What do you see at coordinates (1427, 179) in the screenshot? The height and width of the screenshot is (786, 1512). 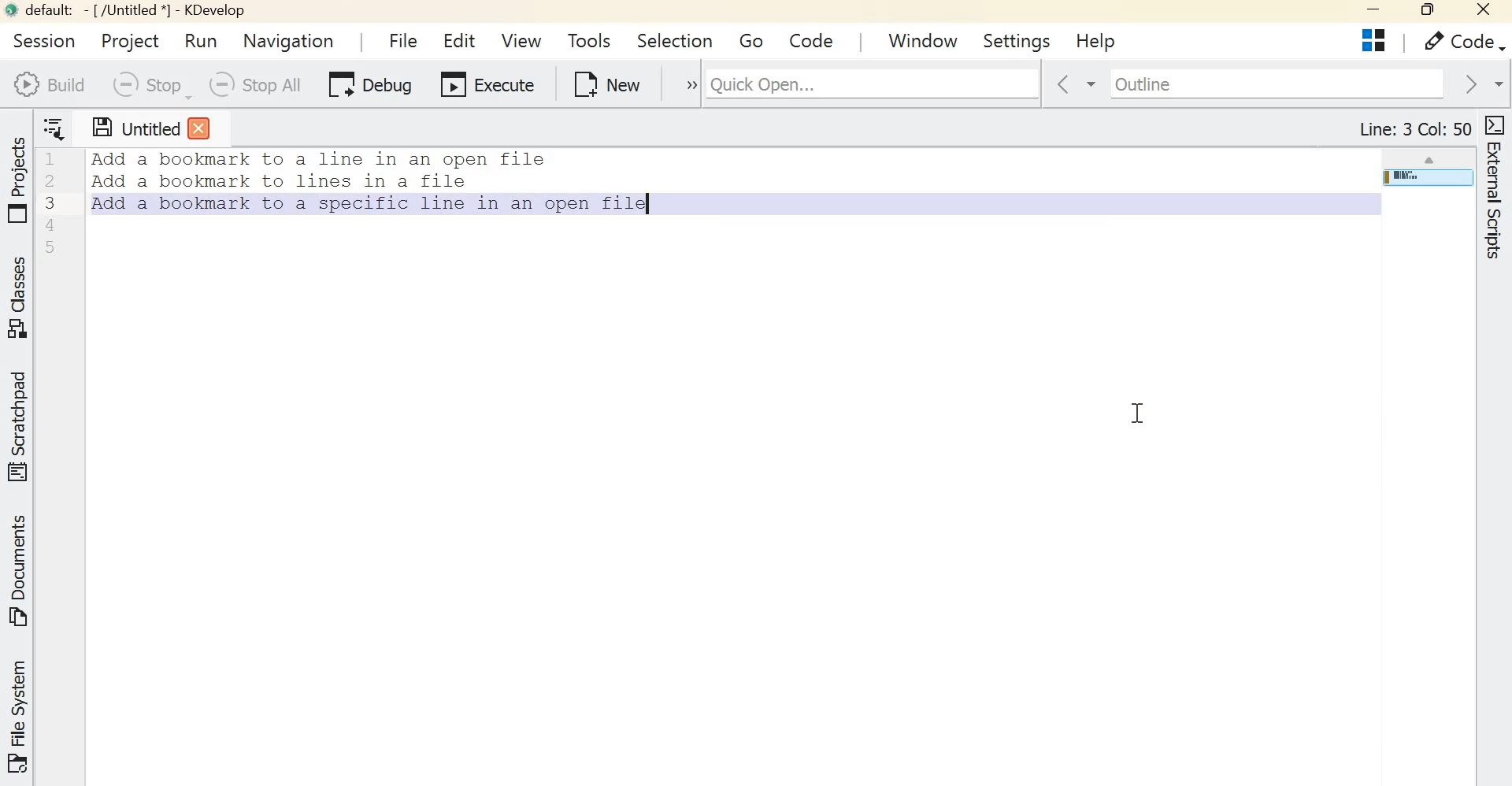 I see `page overview` at bounding box center [1427, 179].